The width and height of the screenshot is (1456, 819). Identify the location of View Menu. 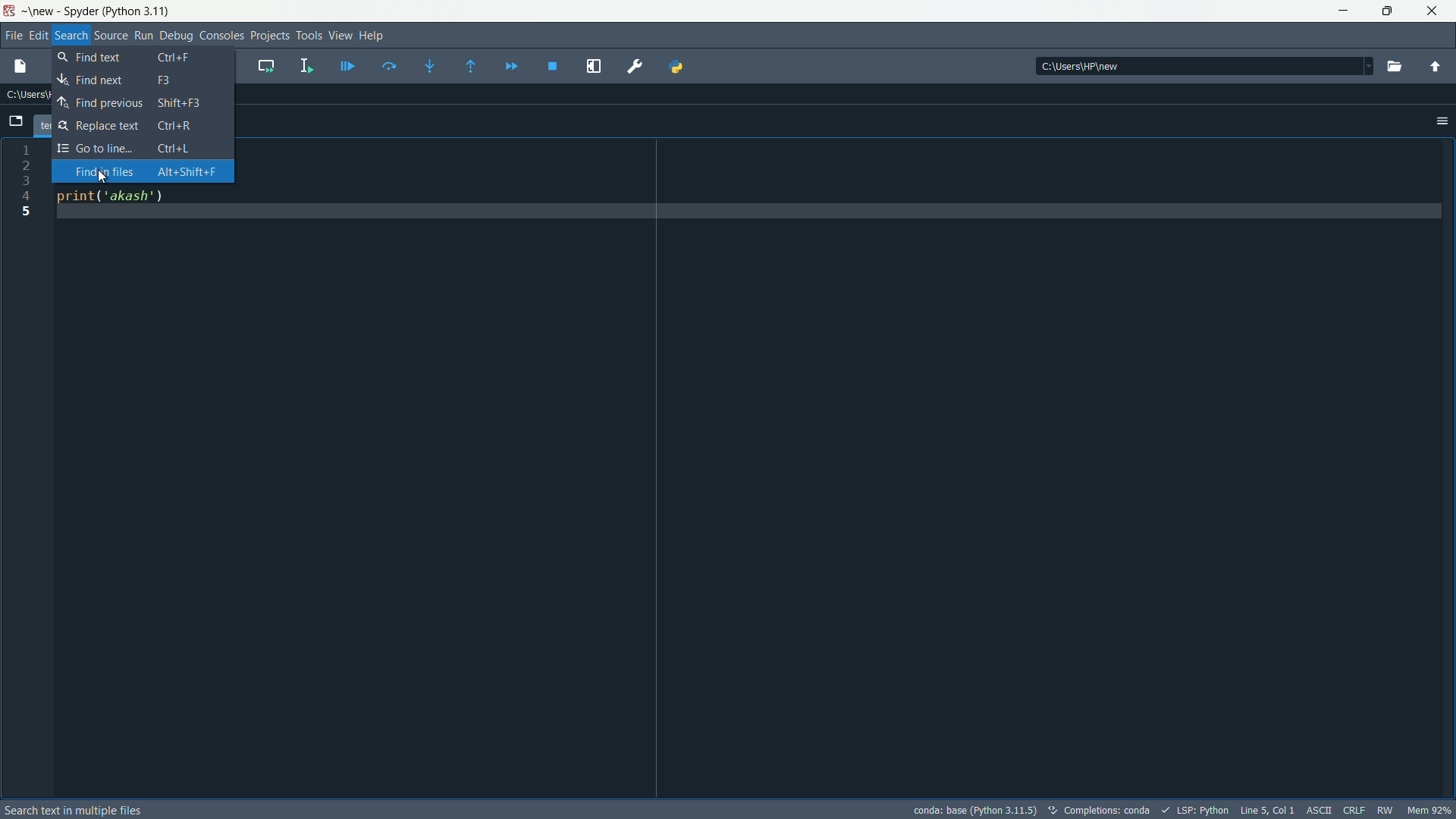
(340, 35).